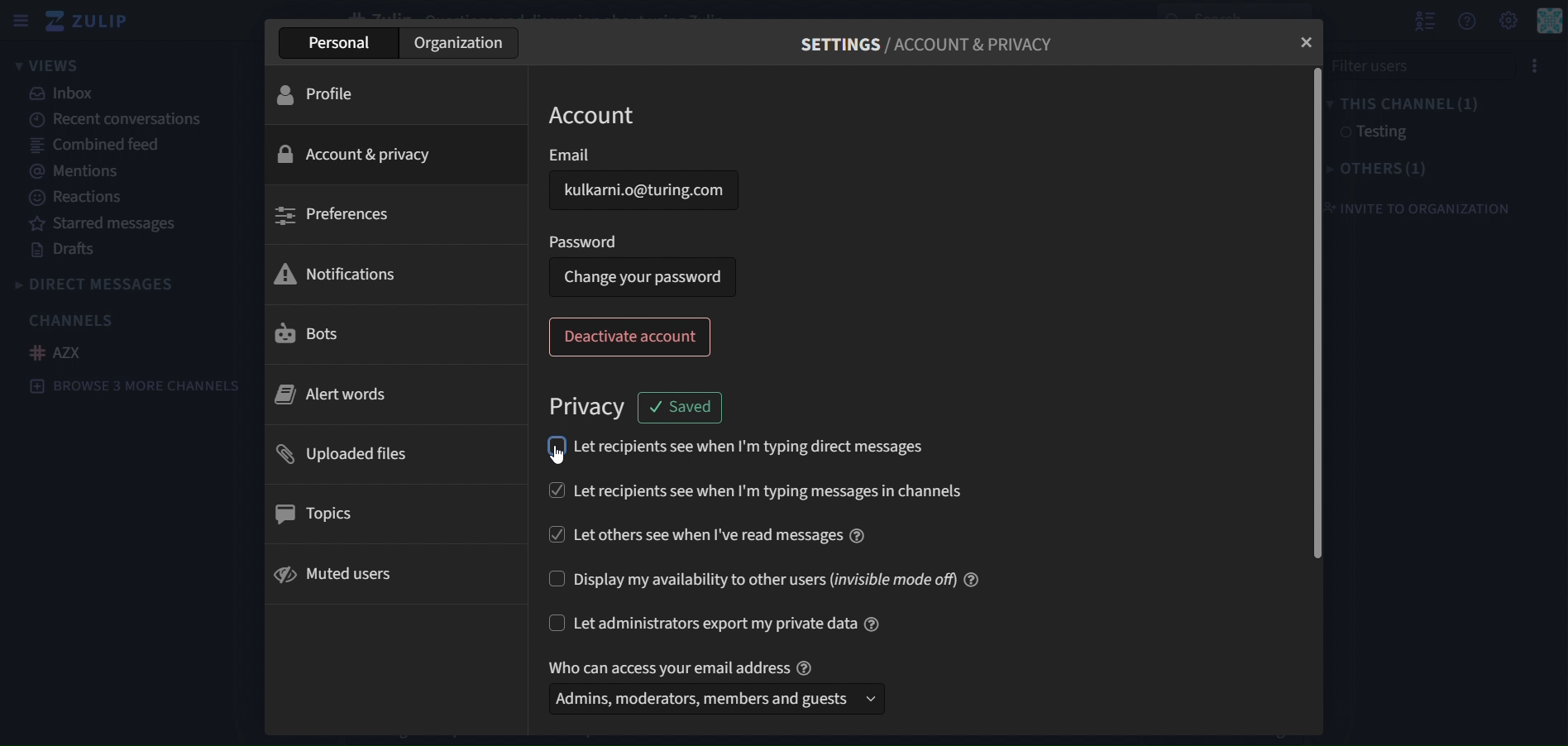 The image size is (1568, 746). I want to click on deactivate account, so click(627, 338).